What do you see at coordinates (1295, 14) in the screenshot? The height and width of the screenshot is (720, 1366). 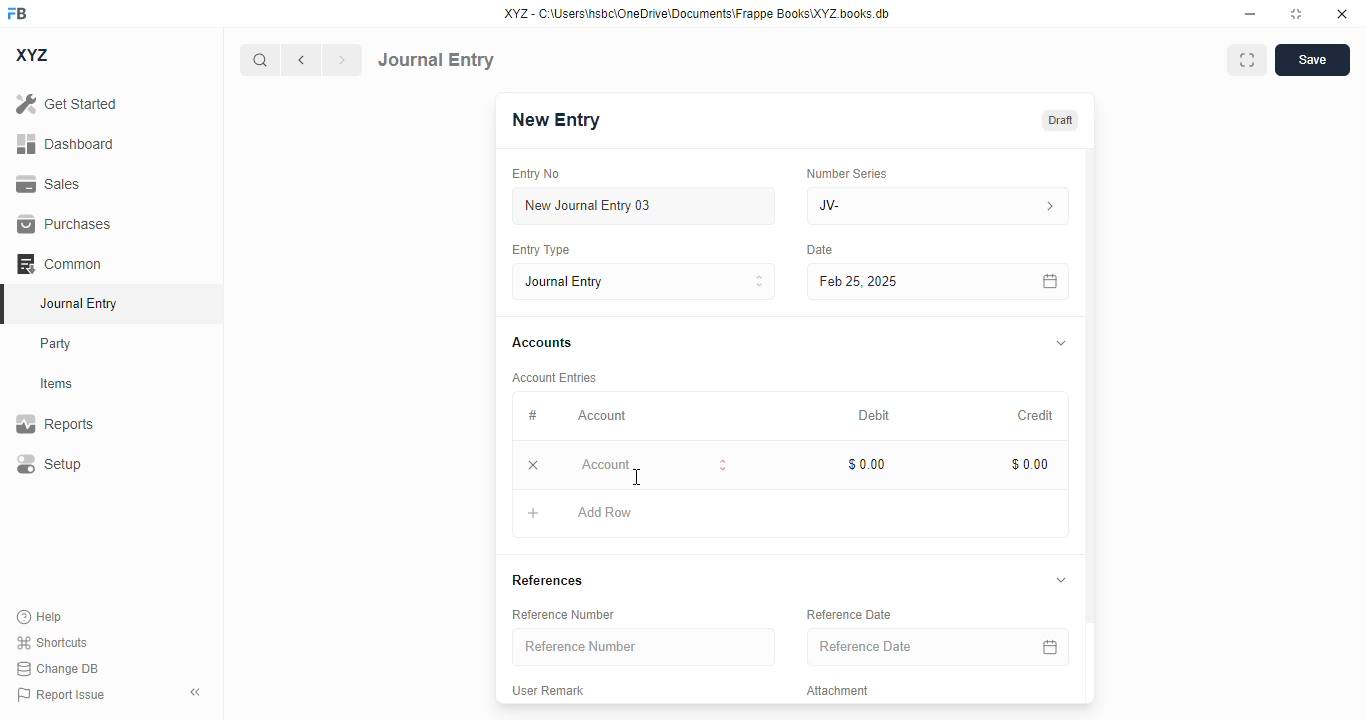 I see `toggle maximize` at bounding box center [1295, 14].